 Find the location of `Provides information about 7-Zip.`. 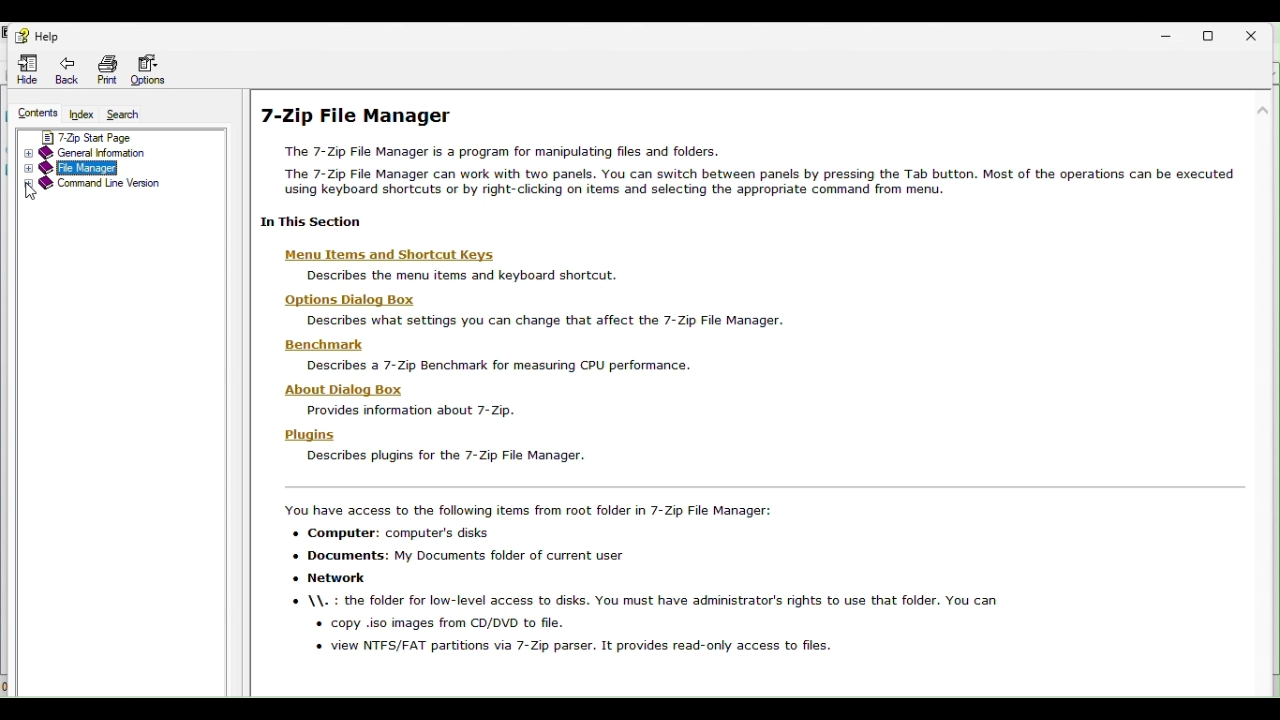

Provides information about 7-Zip. is located at coordinates (403, 411).